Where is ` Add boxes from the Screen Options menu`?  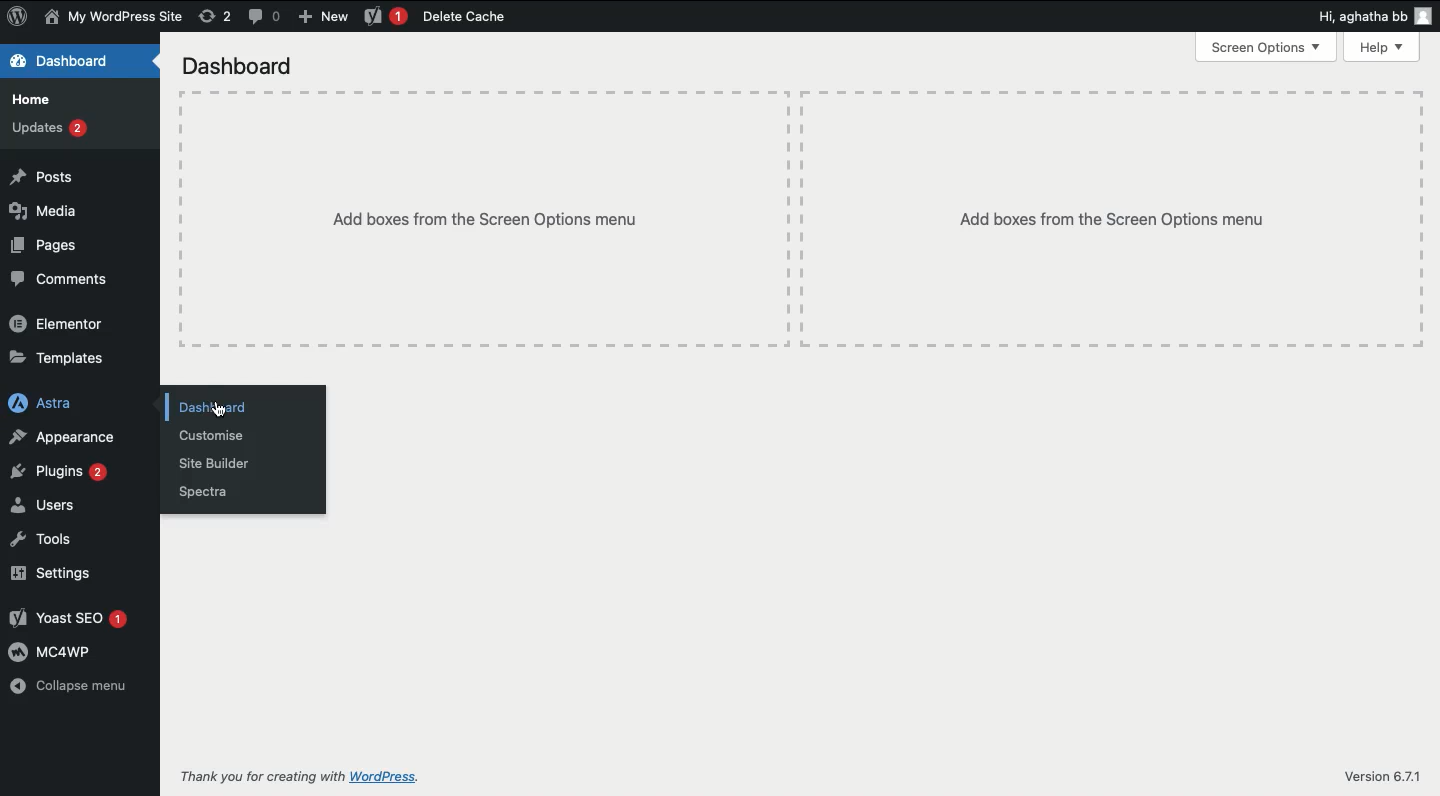  Add boxes from the Screen Options menu is located at coordinates (1118, 219).